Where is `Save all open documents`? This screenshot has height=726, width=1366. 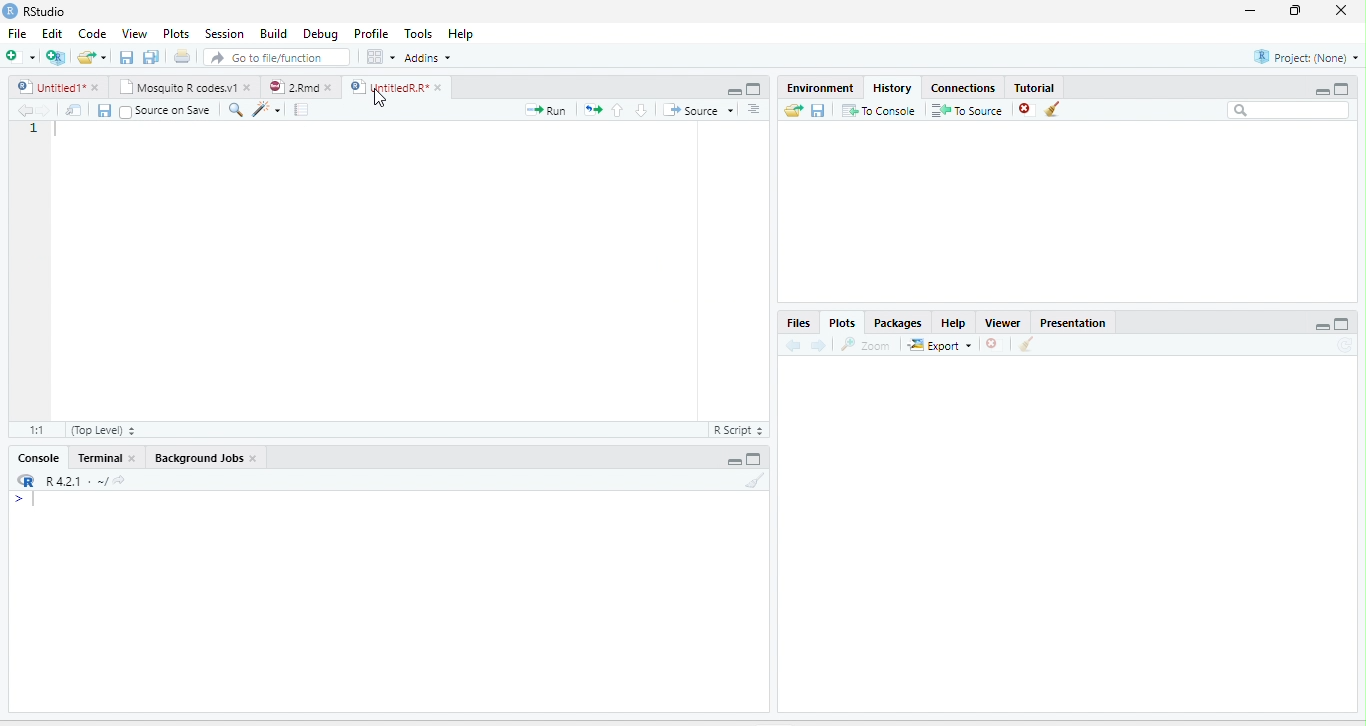 Save all open documents is located at coordinates (151, 56).